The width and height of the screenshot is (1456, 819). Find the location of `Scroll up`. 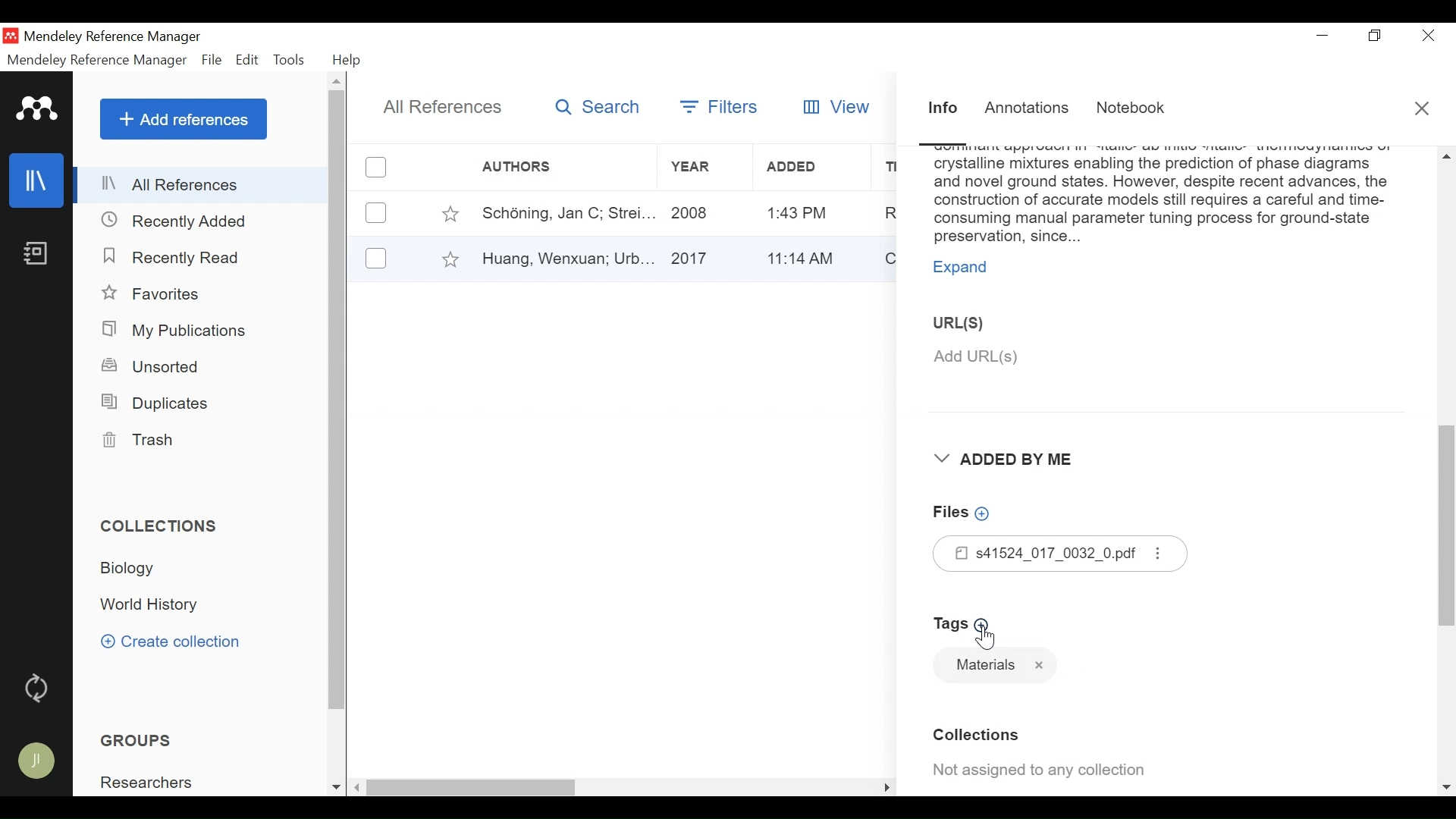

Scroll up is located at coordinates (1445, 155).